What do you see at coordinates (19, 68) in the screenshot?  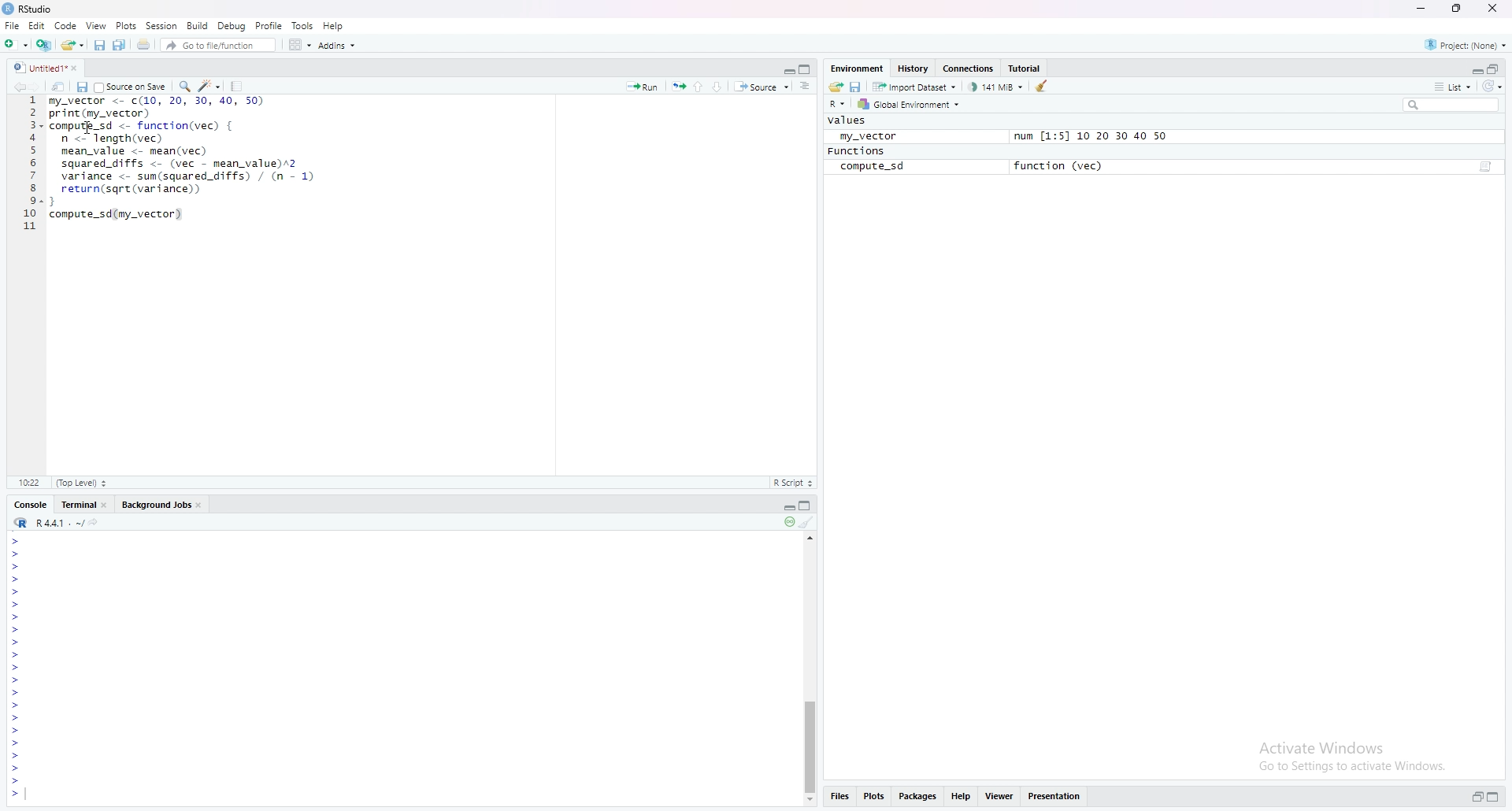 I see `RStudio logo` at bounding box center [19, 68].